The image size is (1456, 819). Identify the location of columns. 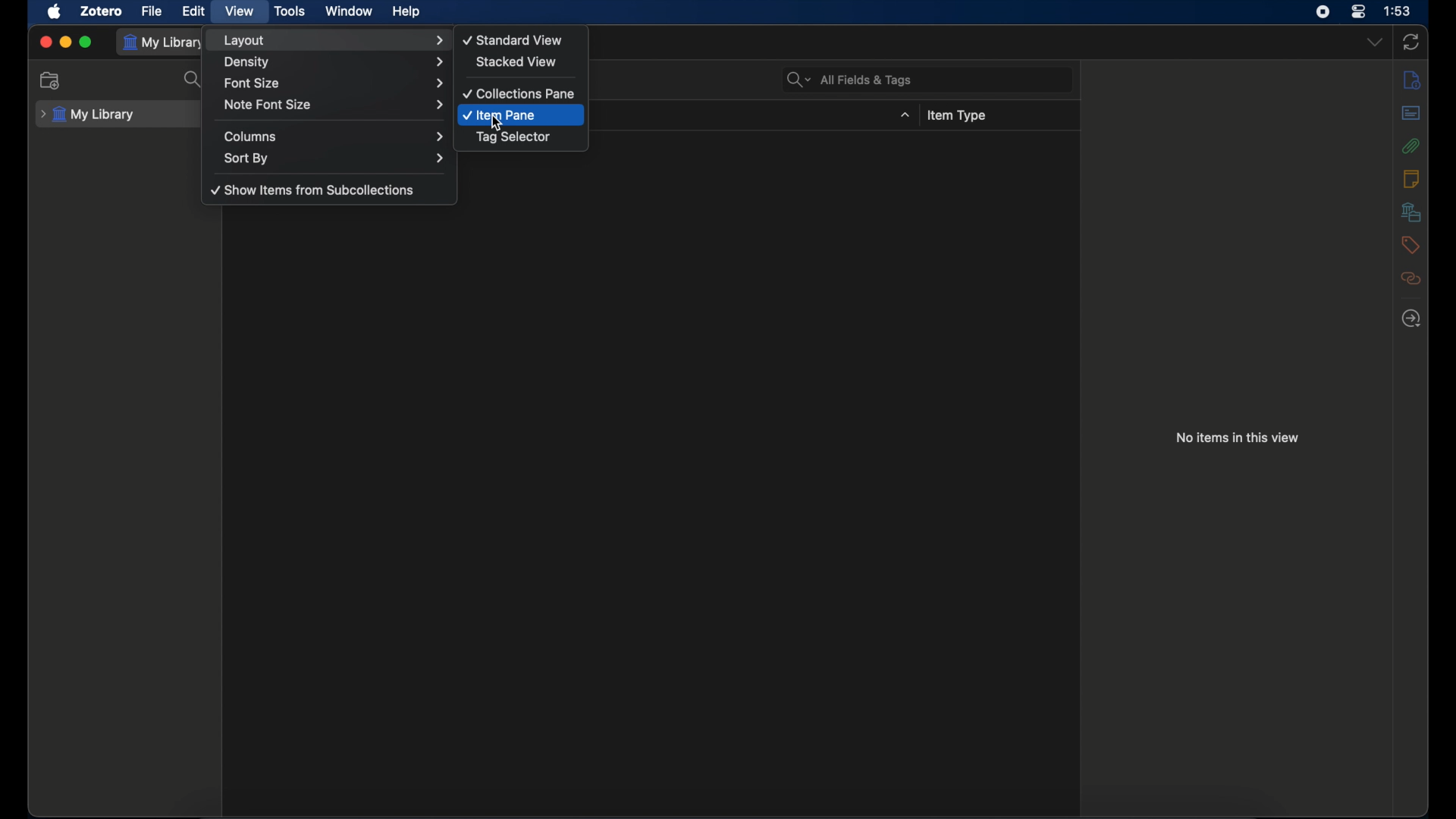
(334, 136).